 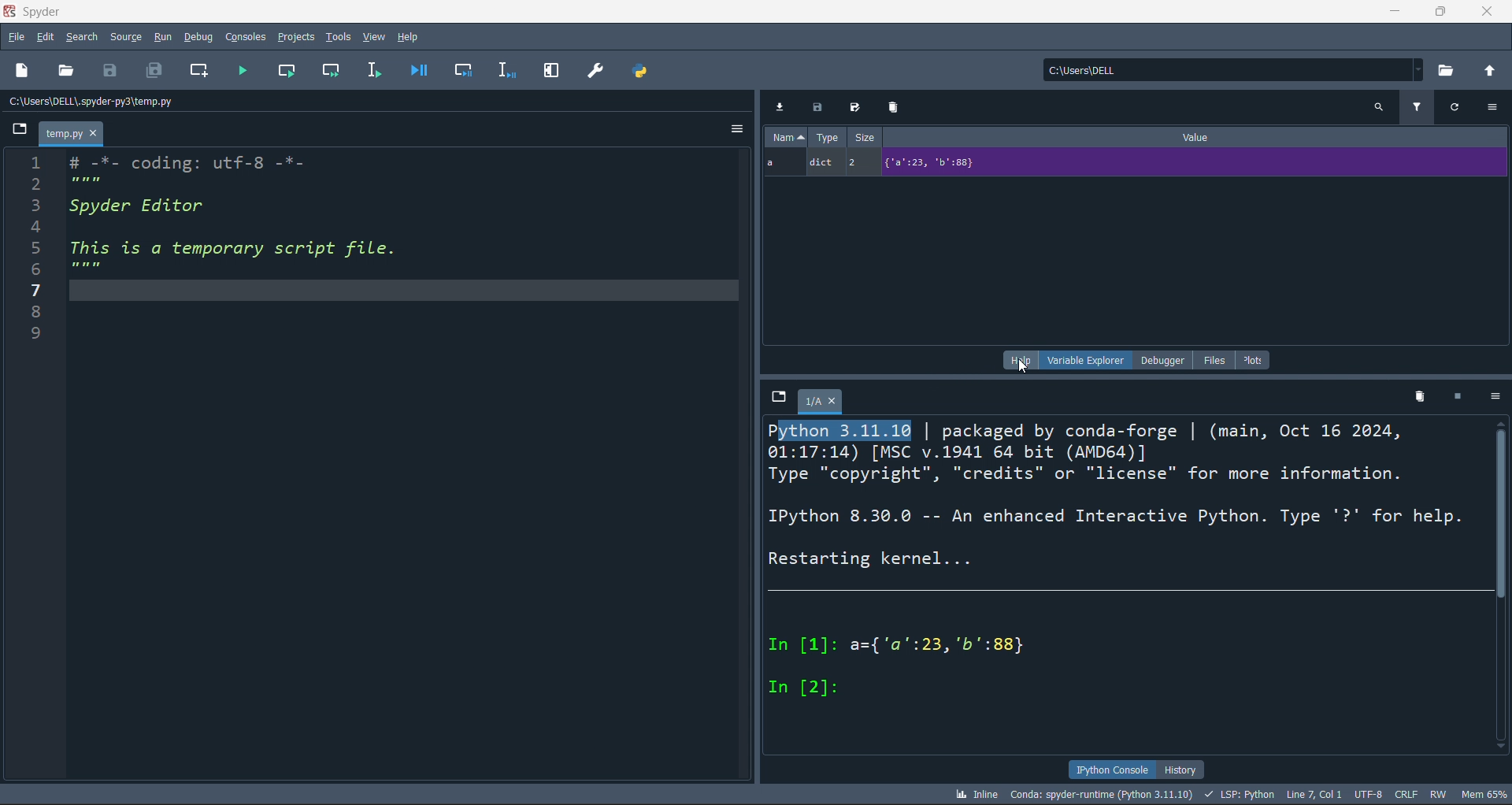 I want to click on debug line, so click(x=508, y=72).